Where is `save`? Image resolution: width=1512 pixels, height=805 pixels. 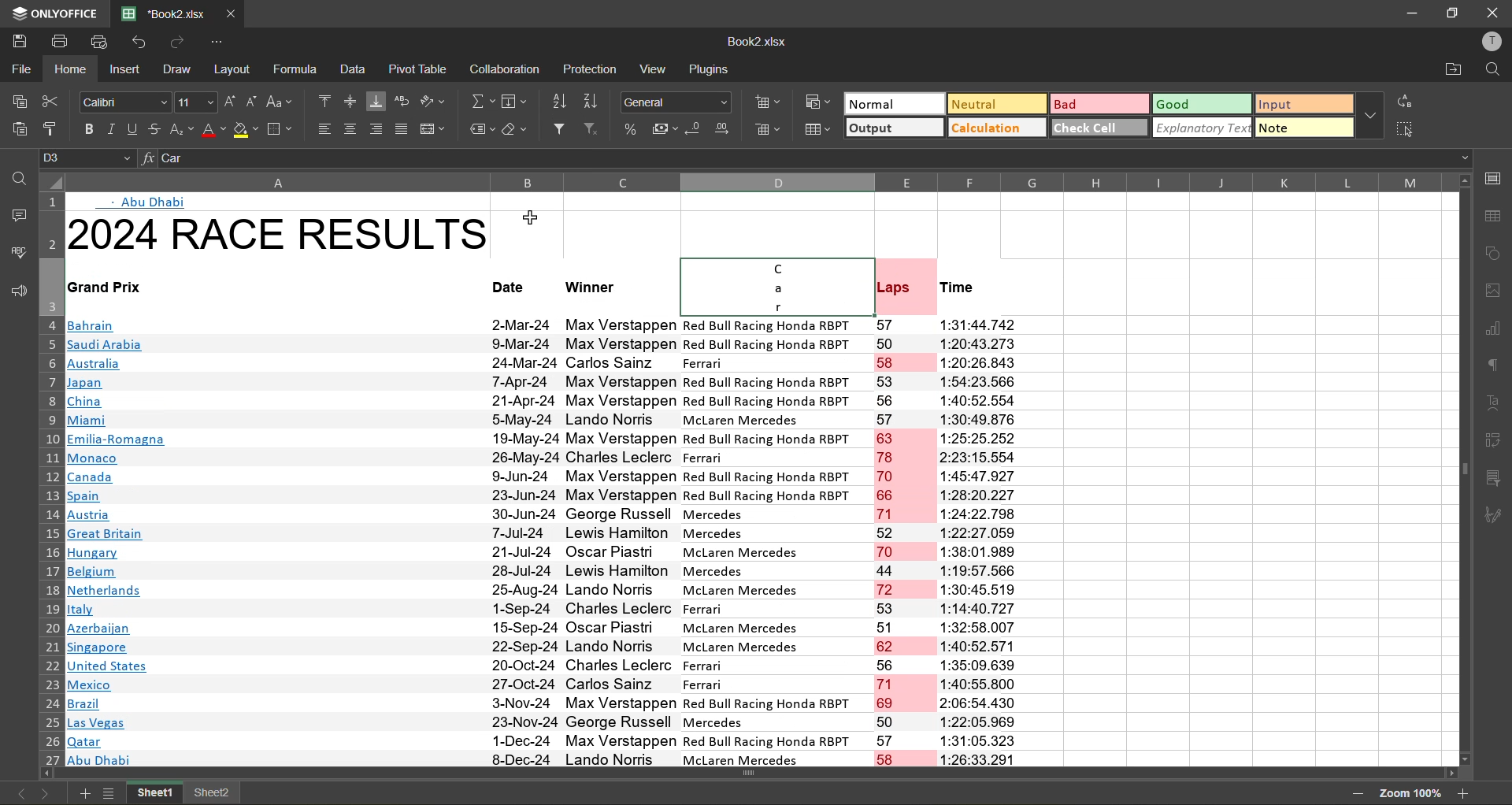
save is located at coordinates (20, 42).